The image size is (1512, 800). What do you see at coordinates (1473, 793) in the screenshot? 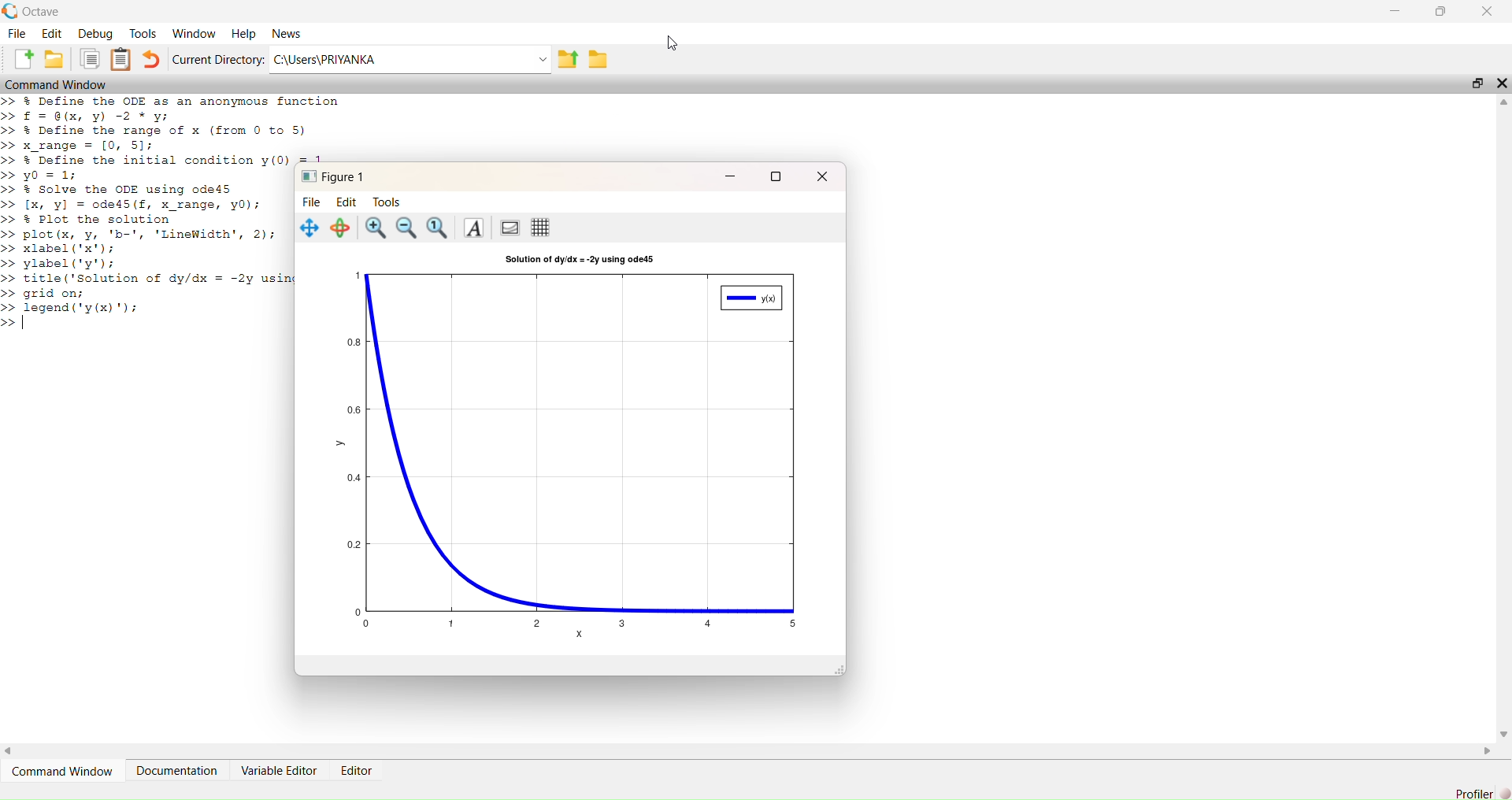
I see `Profiler` at bounding box center [1473, 793].